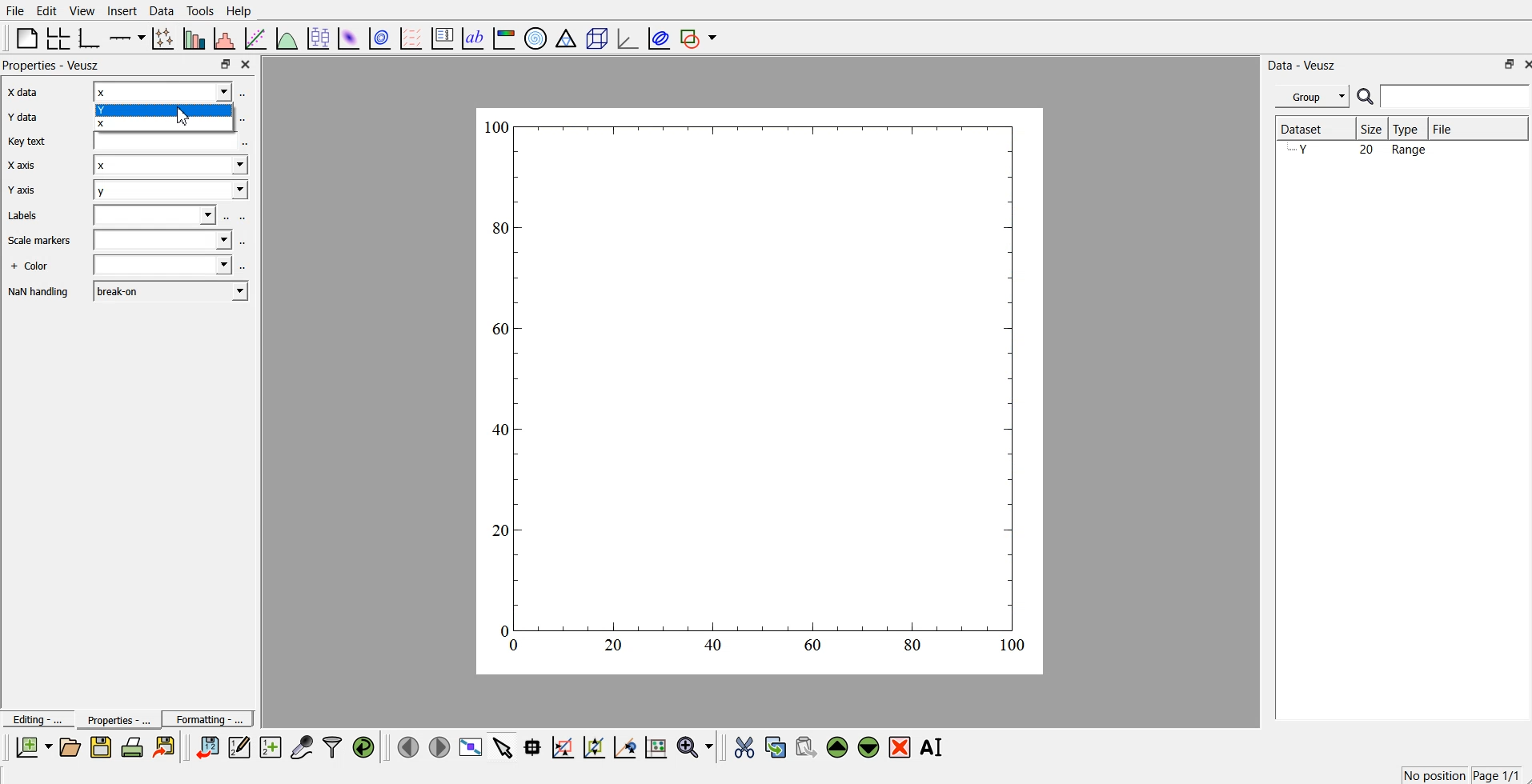 The image size is (1532, 784). Describe the element at coordinates (39, 242) in the screenshot. I see `| Scale markers` at that location.